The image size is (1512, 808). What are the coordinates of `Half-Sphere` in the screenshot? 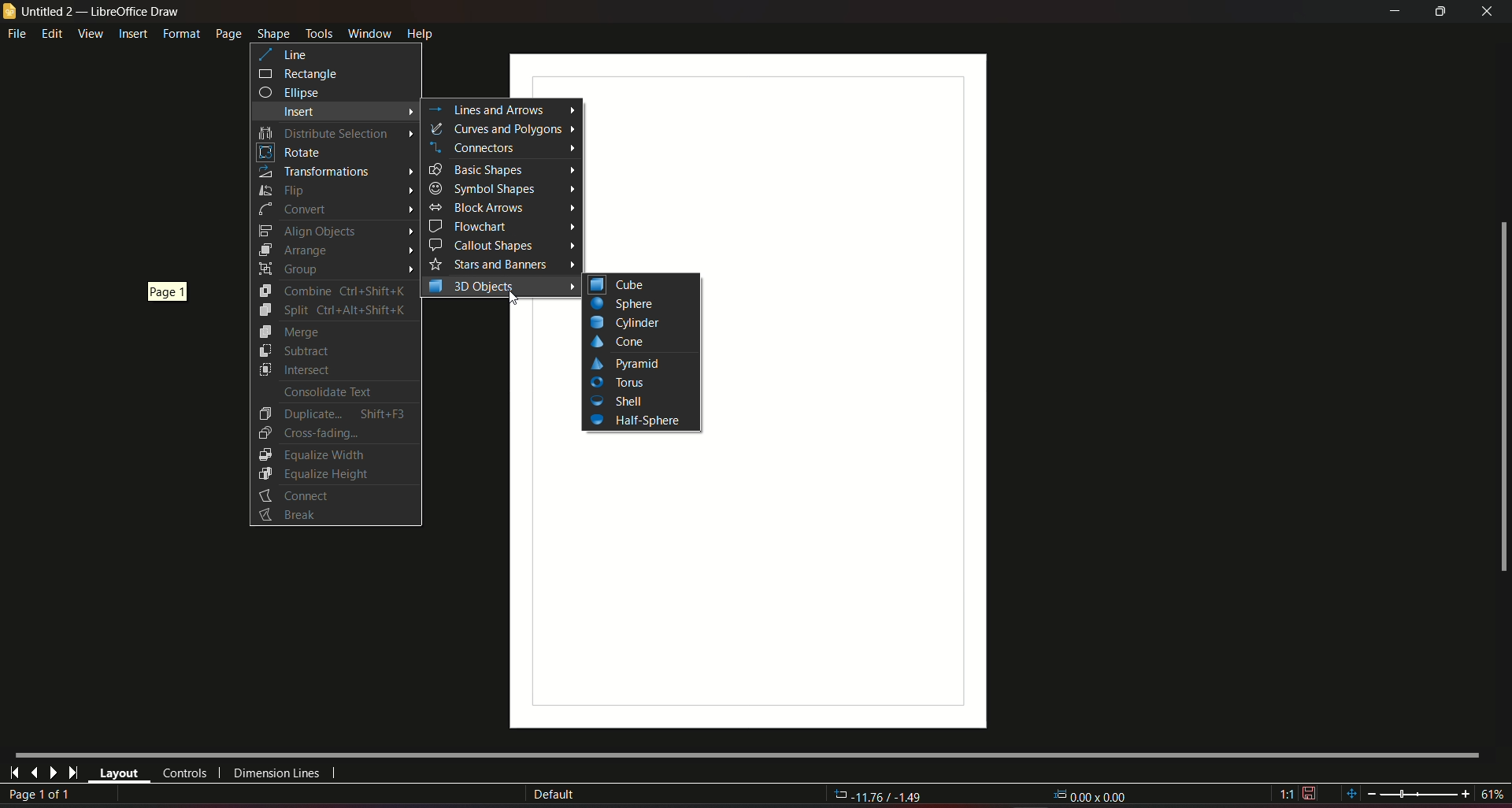 It's located at (636, 421).